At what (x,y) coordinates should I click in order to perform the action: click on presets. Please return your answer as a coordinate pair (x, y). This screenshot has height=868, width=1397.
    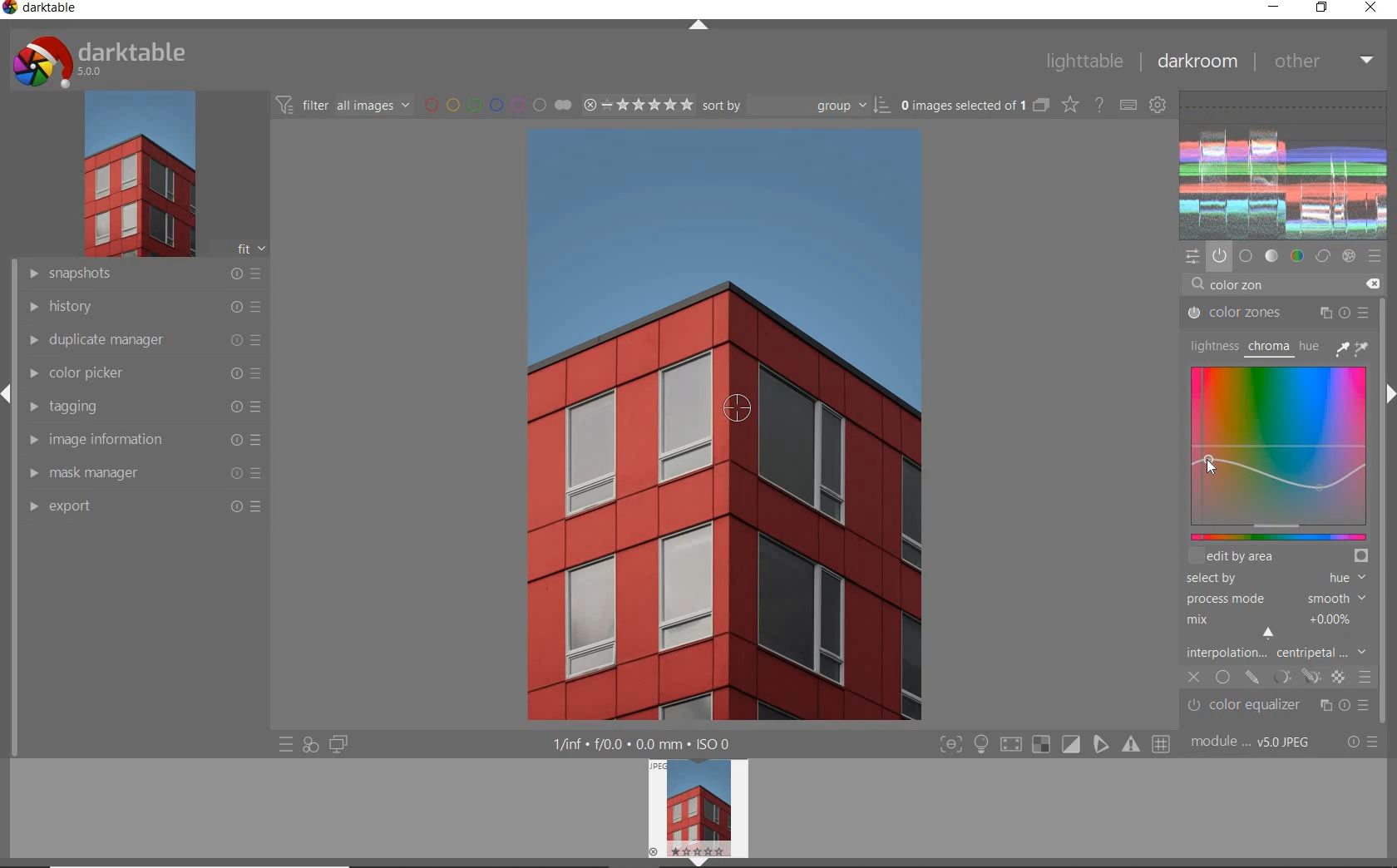
    Looking at the image, I should click on (1375, 254).